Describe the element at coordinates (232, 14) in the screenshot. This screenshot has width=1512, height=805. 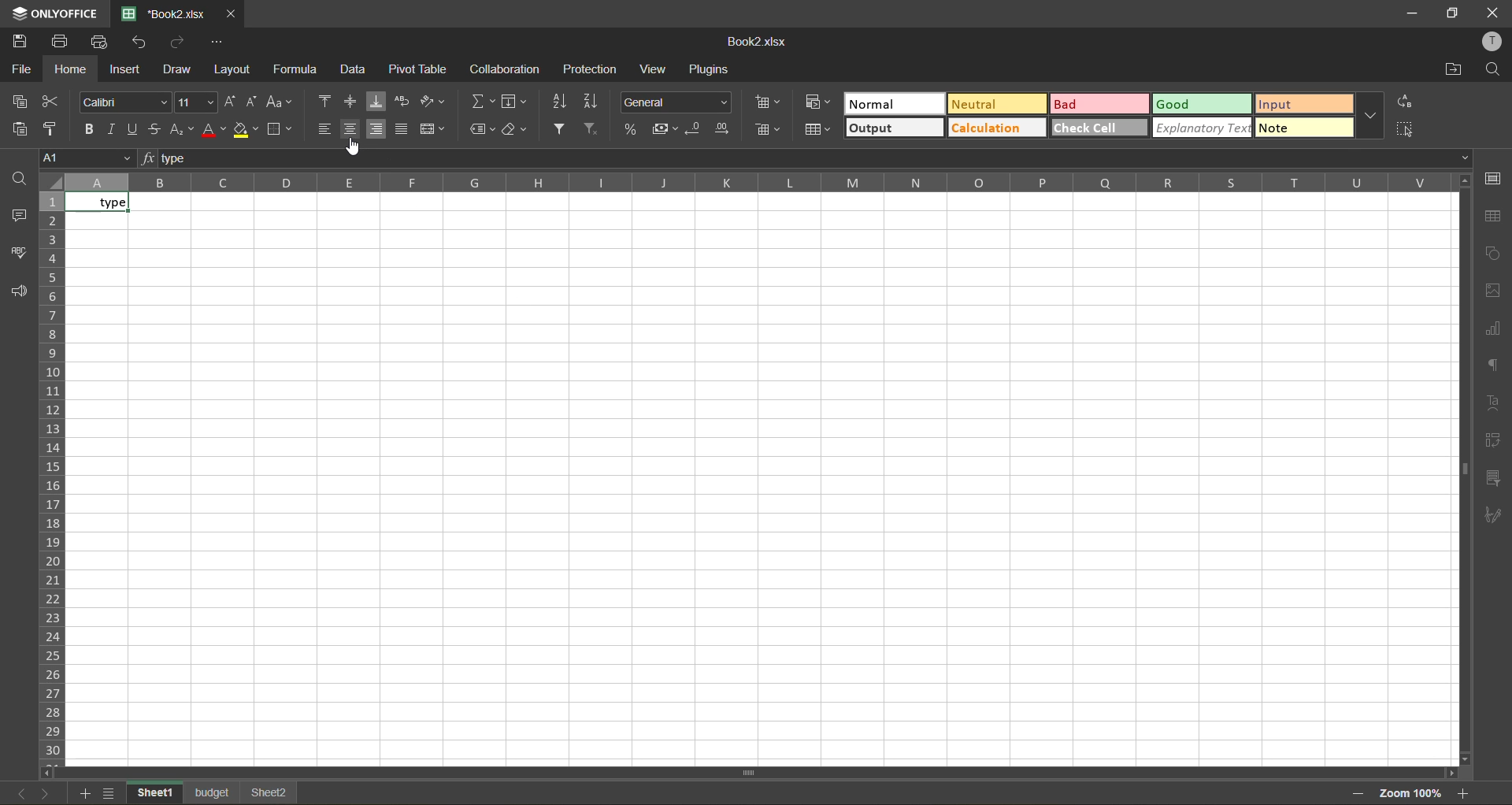
I see `close tab` at that location.